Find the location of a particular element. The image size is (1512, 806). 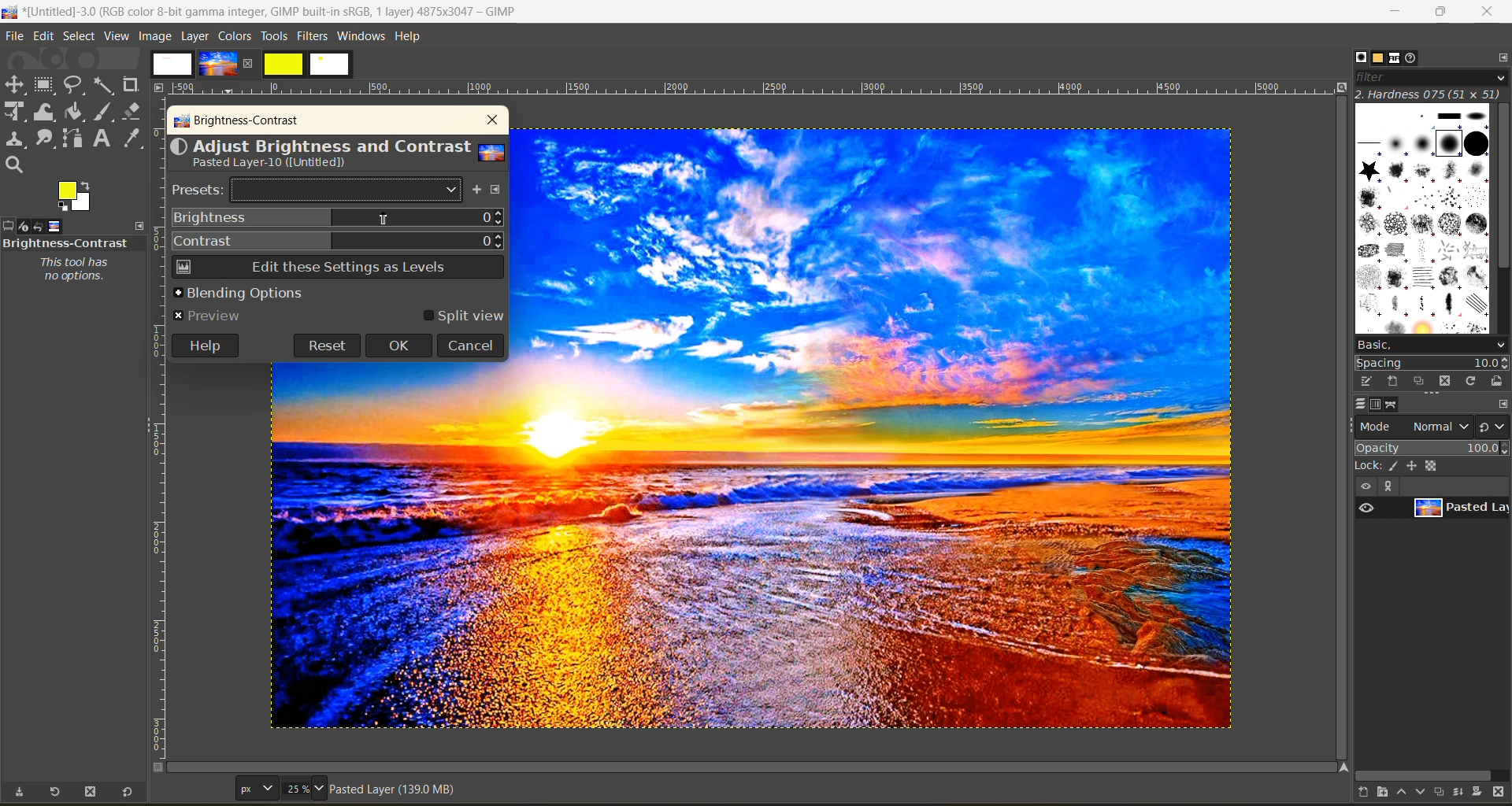

image is located at coordinates (881, 429).